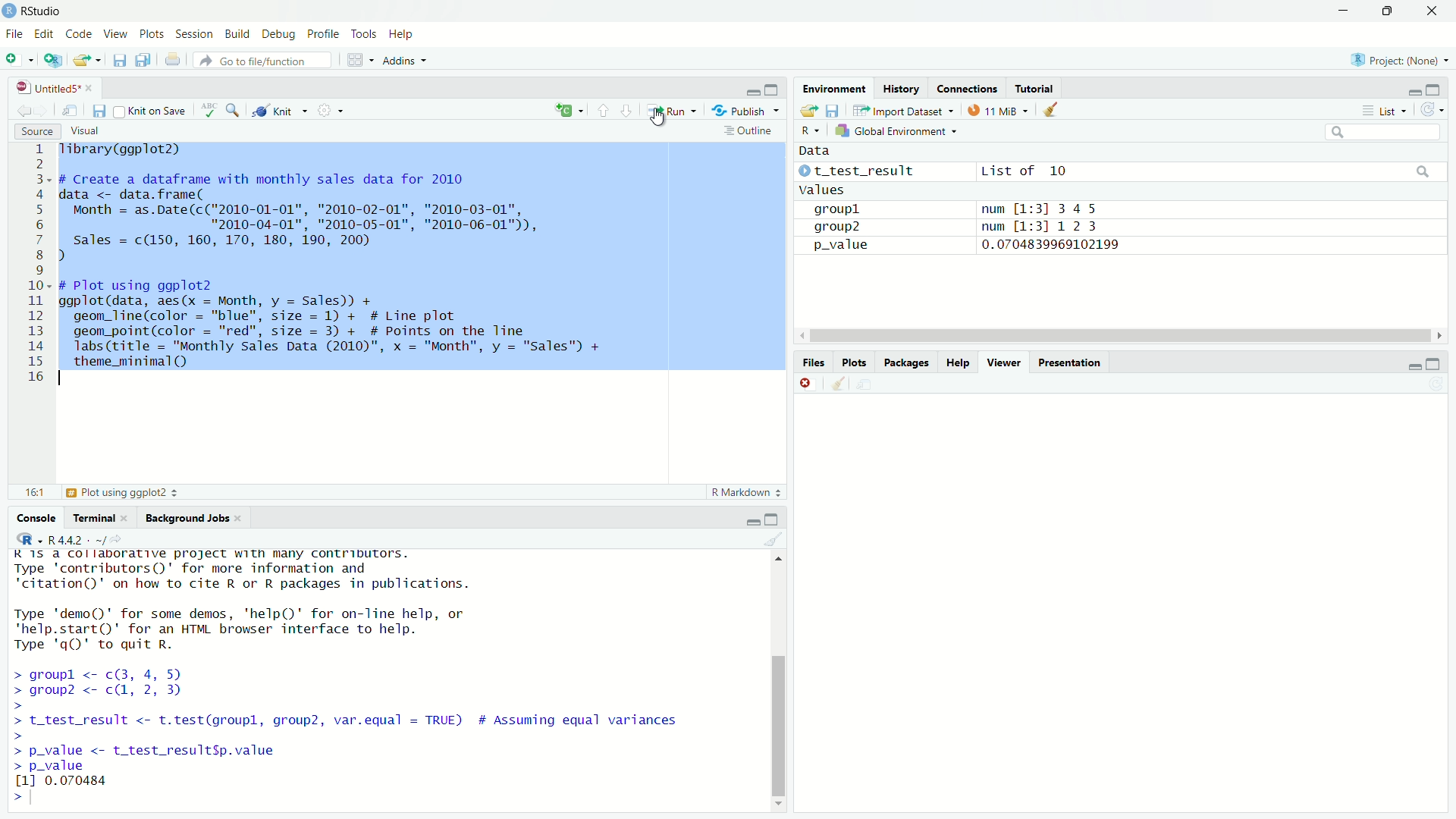 This screenshot has width=1456, height=819. Describe the element at coordinates (1054, 108) in the screenshot. I see `clear object from workspace` at that location.